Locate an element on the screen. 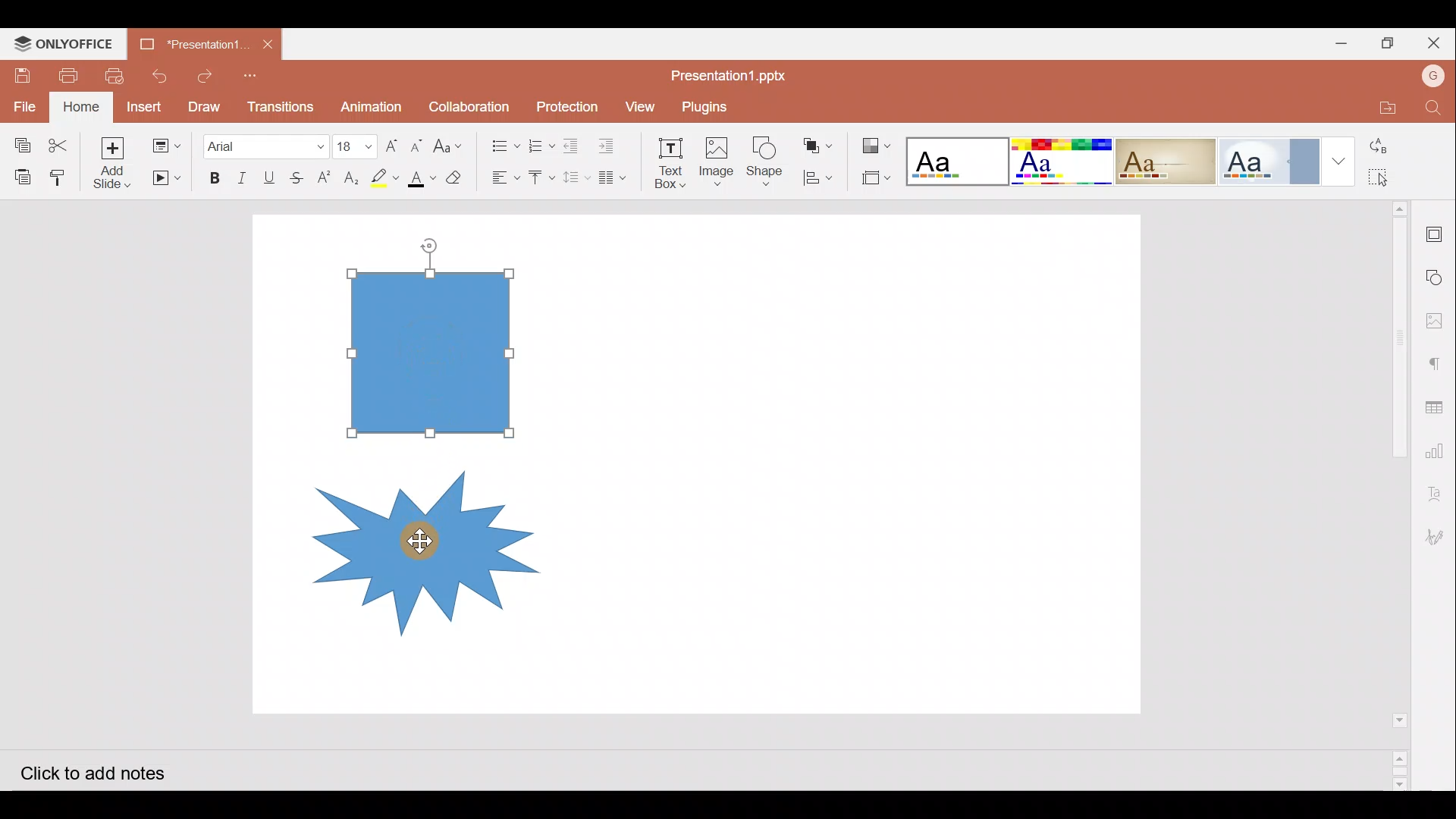 This screenshot has height=819, width=1456. Select slide size is located at coordinates (874, 178).